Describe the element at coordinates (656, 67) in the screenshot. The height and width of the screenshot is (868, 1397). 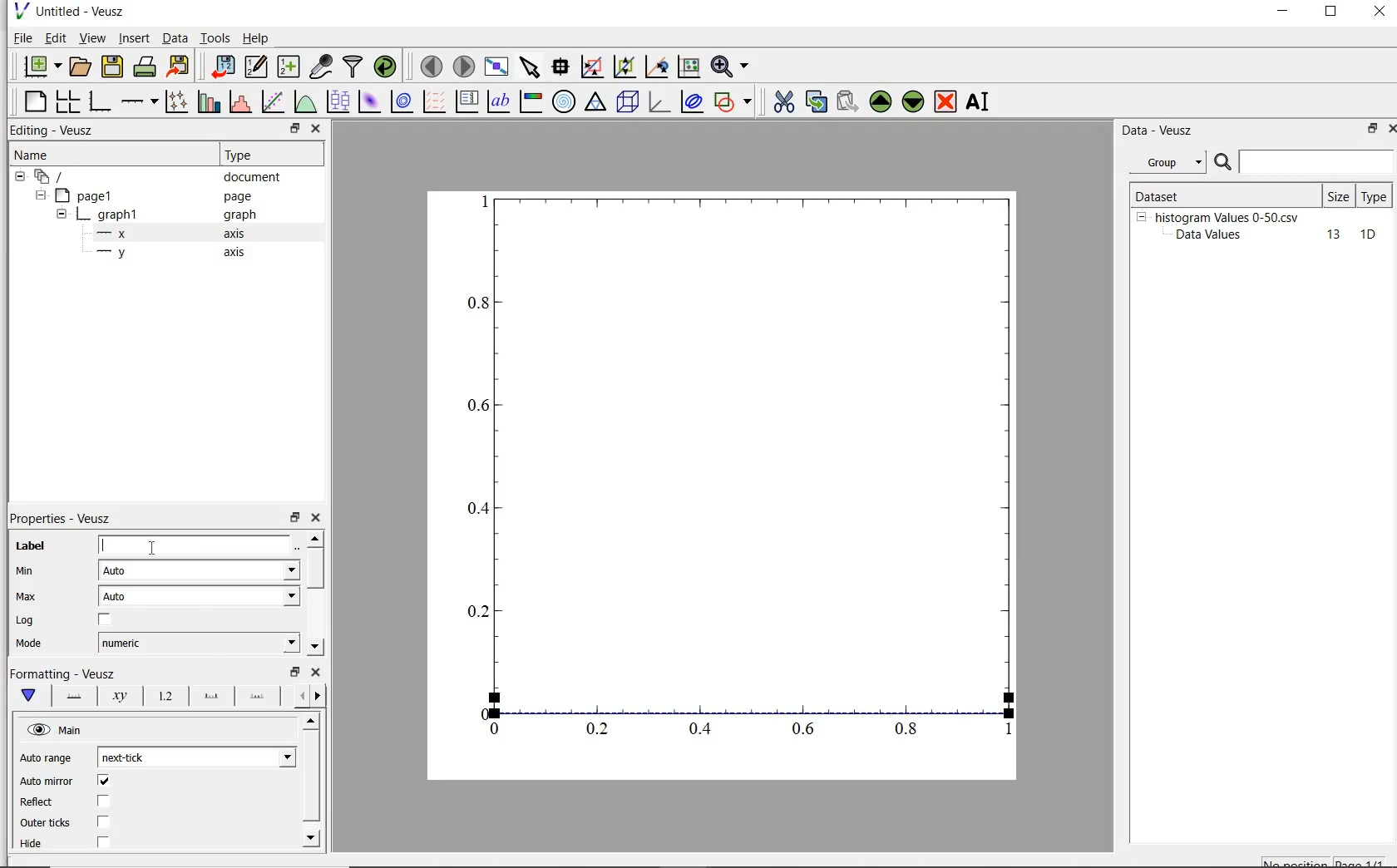
I see `click to zoom out on graph axes` at that location.